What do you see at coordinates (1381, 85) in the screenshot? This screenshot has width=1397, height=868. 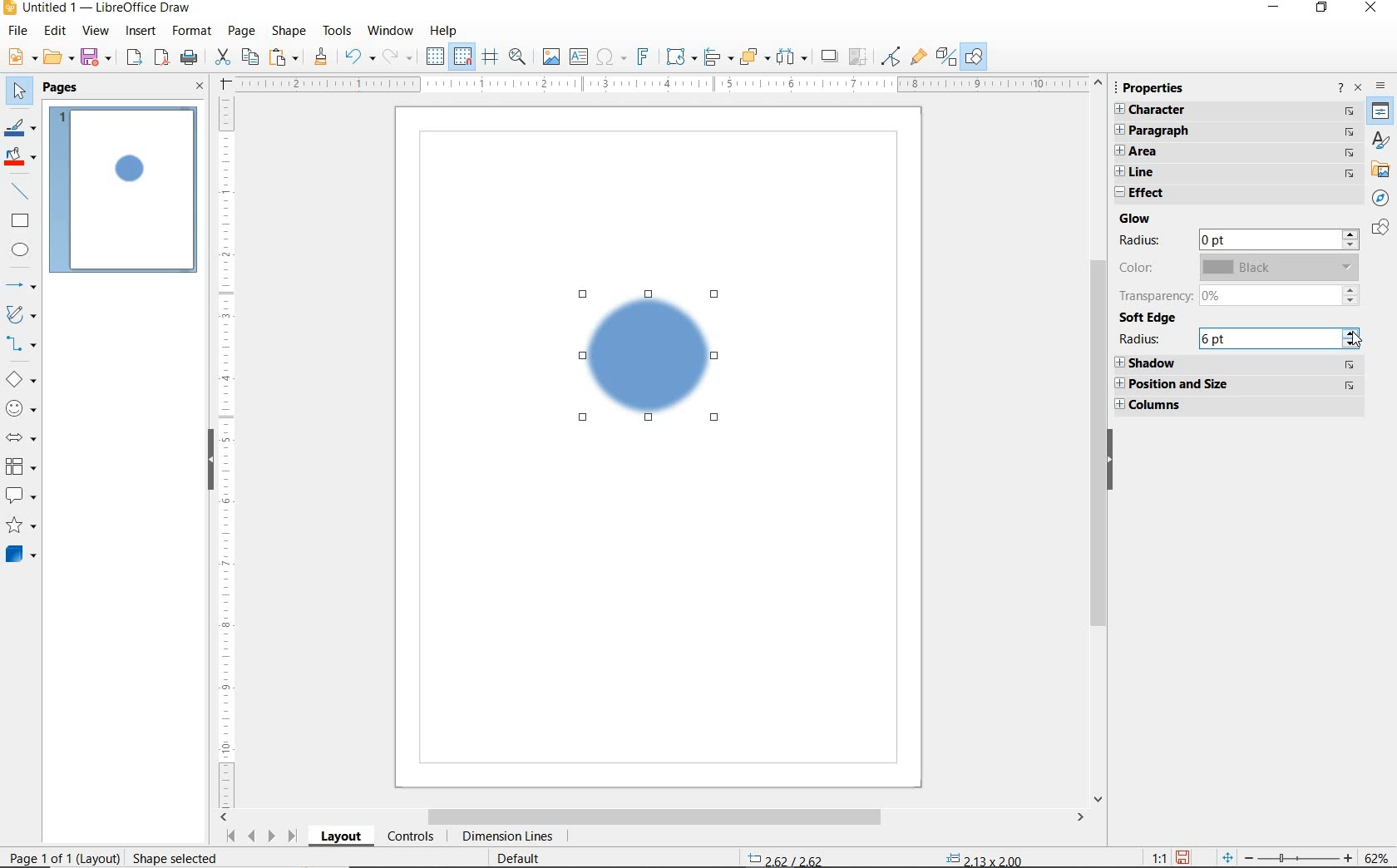 I see `SIDEBAR SETTINGS` at bounding box center [1381, 85].